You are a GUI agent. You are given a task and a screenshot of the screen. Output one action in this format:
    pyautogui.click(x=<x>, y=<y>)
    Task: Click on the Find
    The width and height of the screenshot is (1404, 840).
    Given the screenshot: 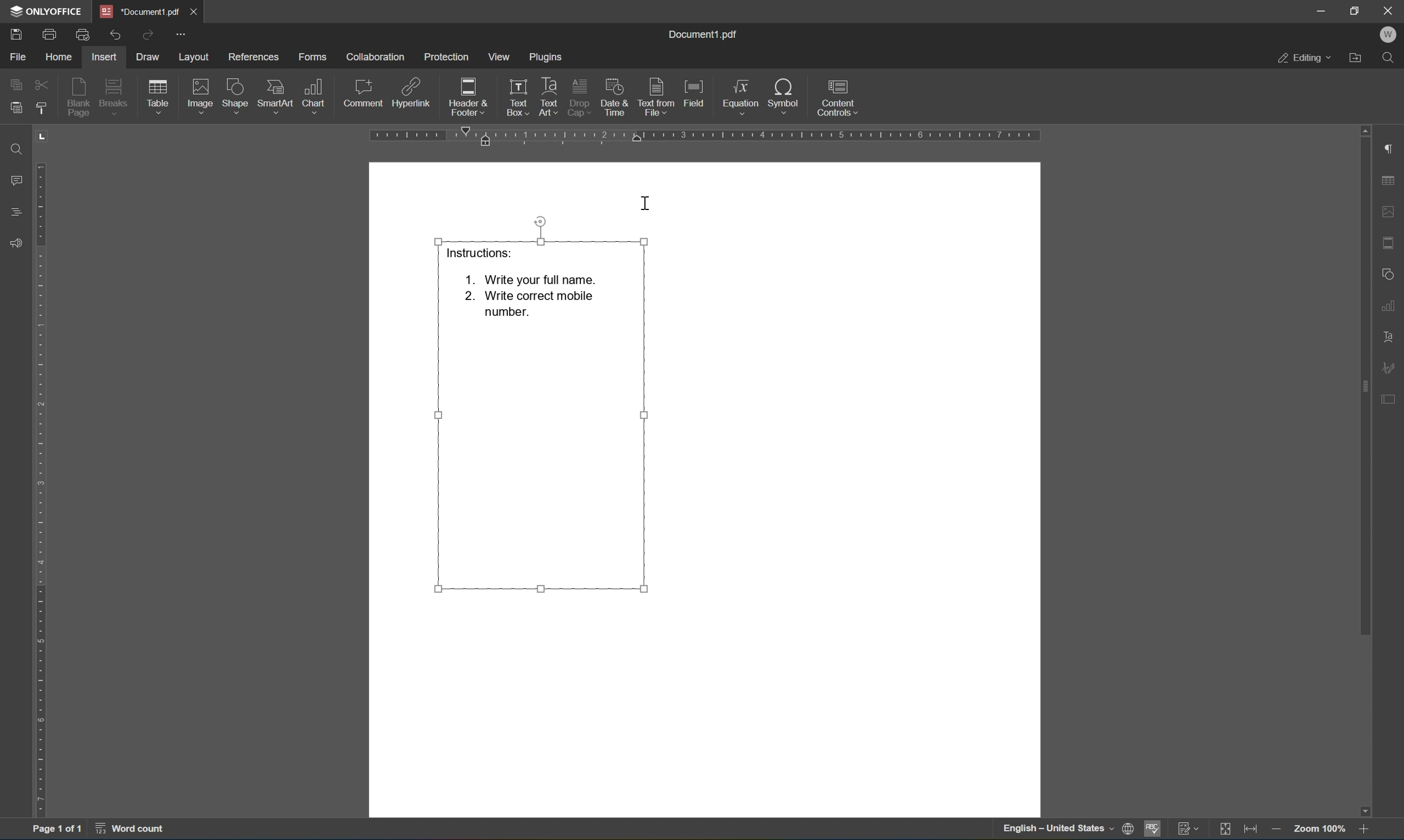 What is the action you would take?
    pyautogui.click(x=1388, y=58)
    